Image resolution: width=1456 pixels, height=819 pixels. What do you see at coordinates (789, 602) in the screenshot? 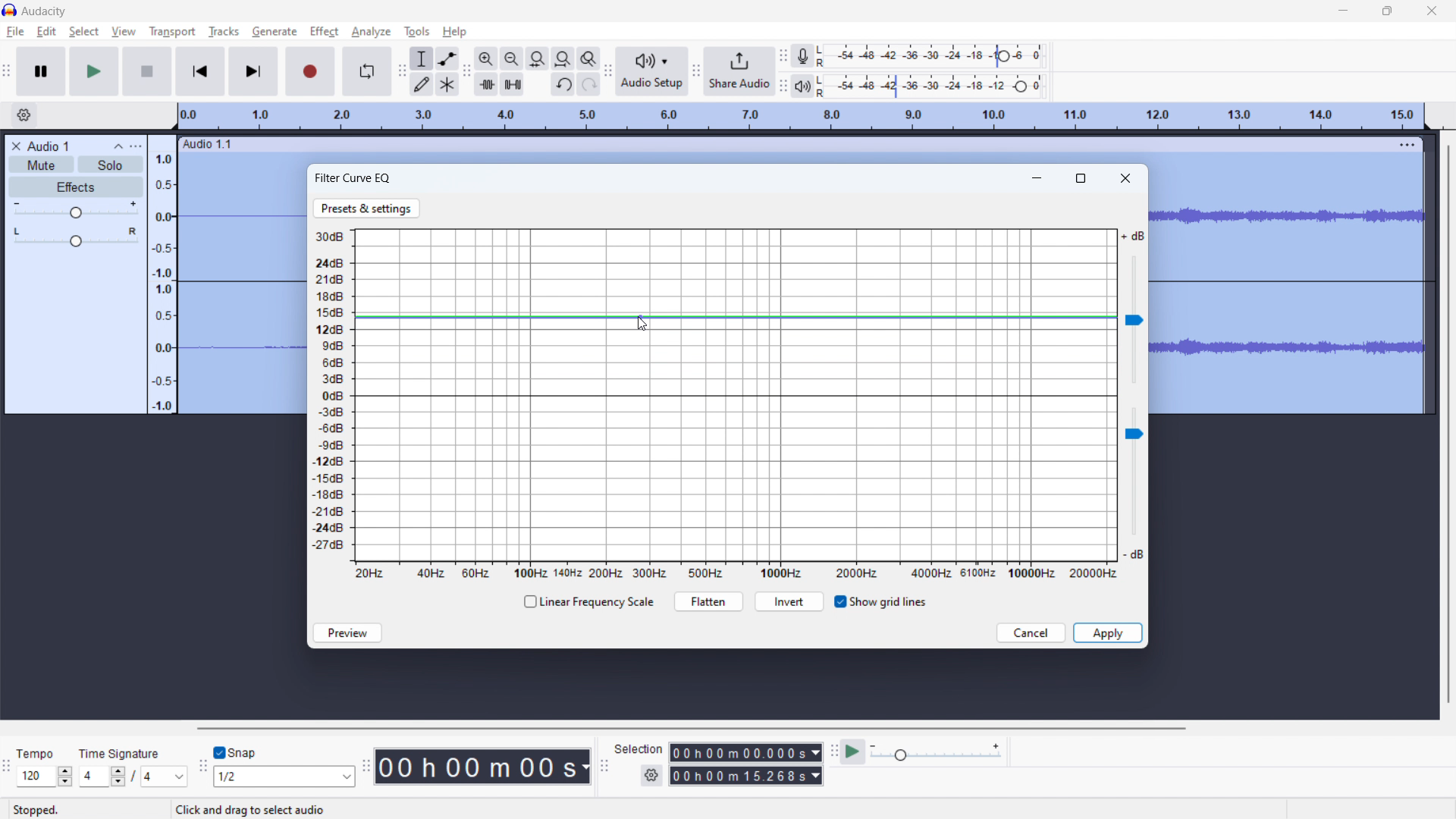
I see `invert` at bounding box center [789, 602].